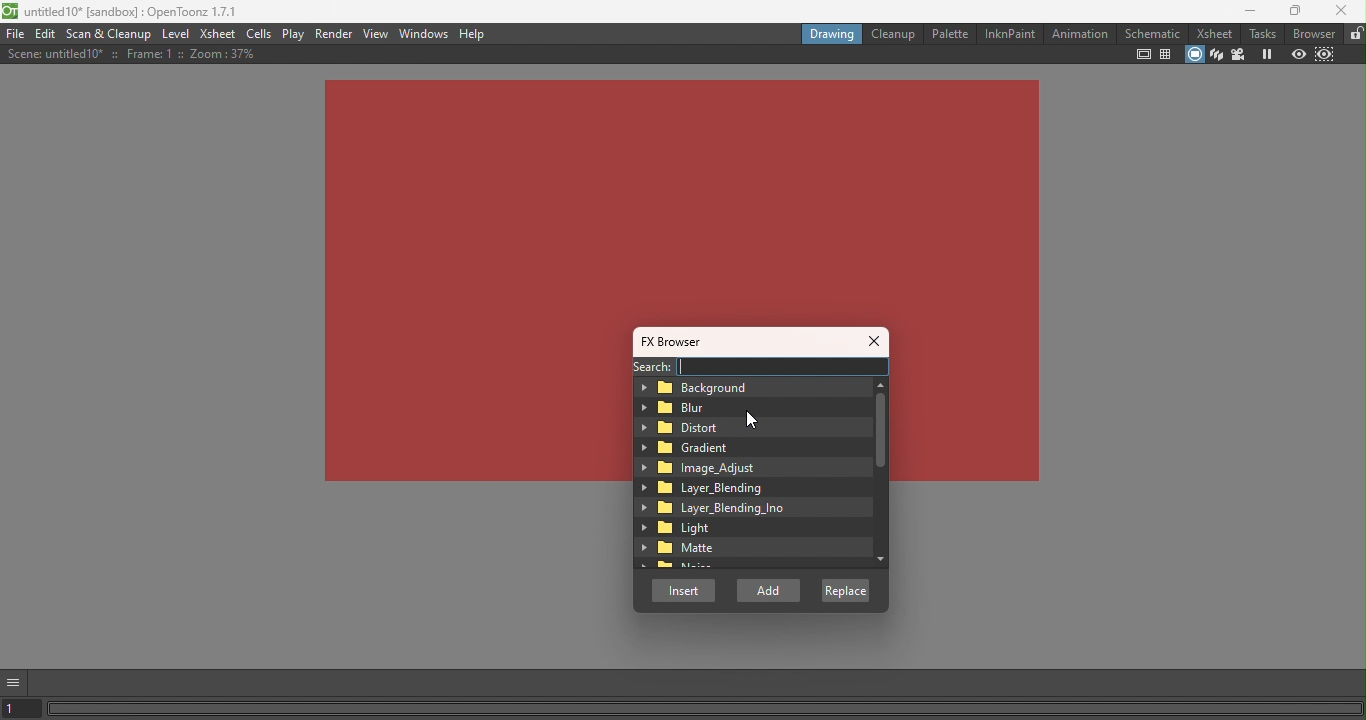 This screenshot has width=1366, height=720. I want to click on Layer_Blending_Ino, so click(716, 510).